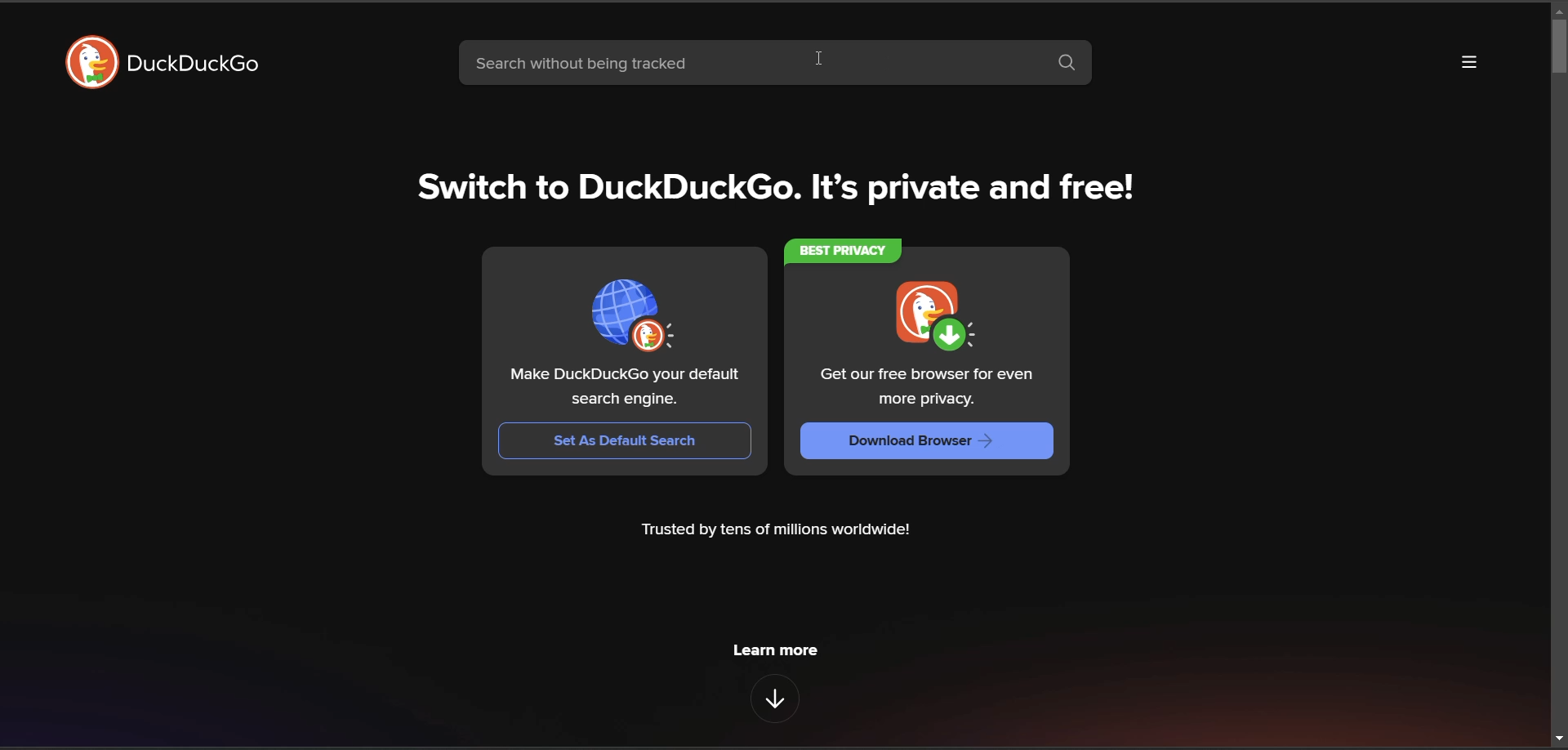 This screenshot has height=750, width=1568. I want to click on set as default search, so click(612, 441).